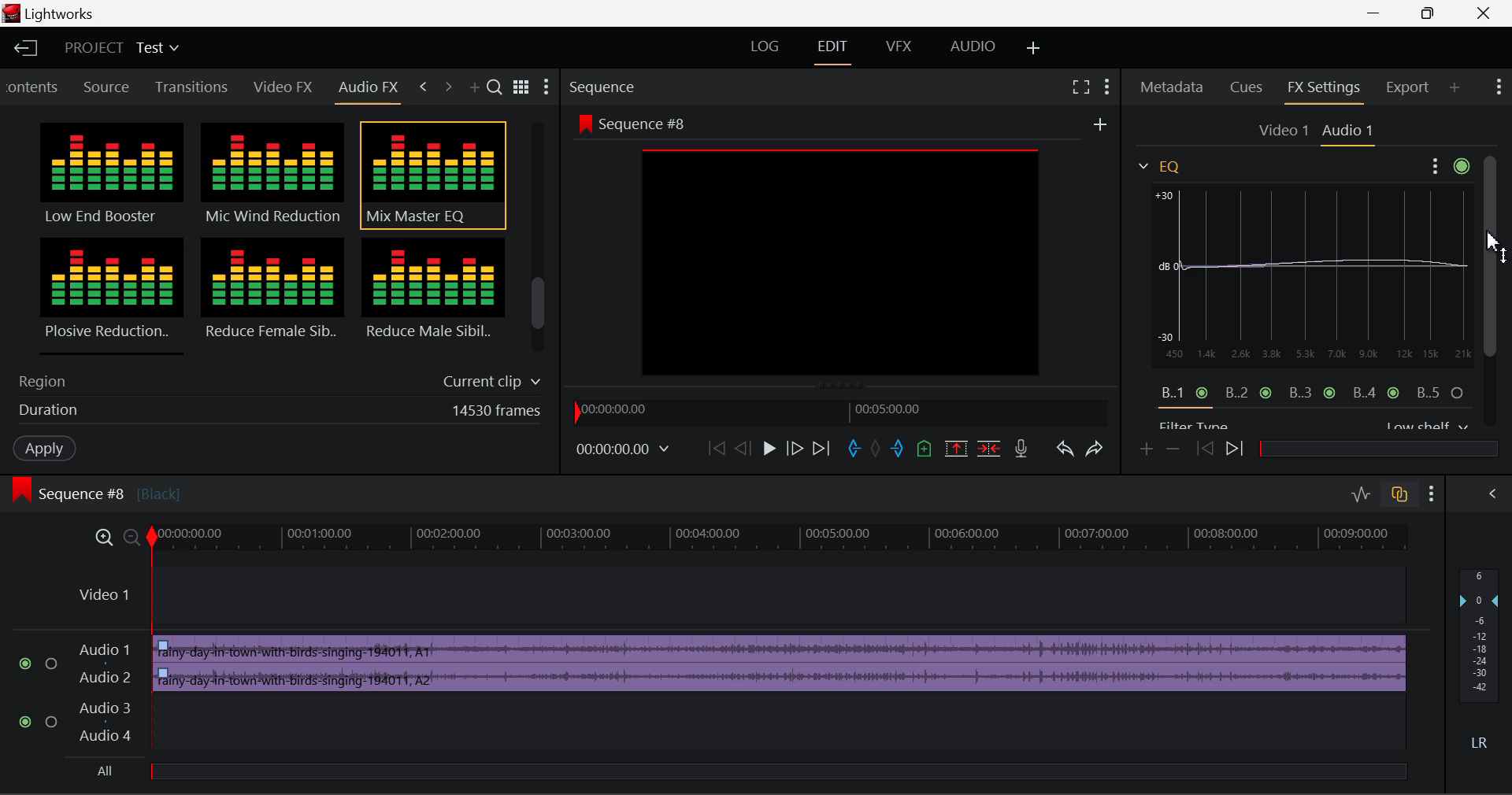 The height and width of the screenshot is (795, 1512). I want to click on Reduce Male Sibilance, so click(432, 294).